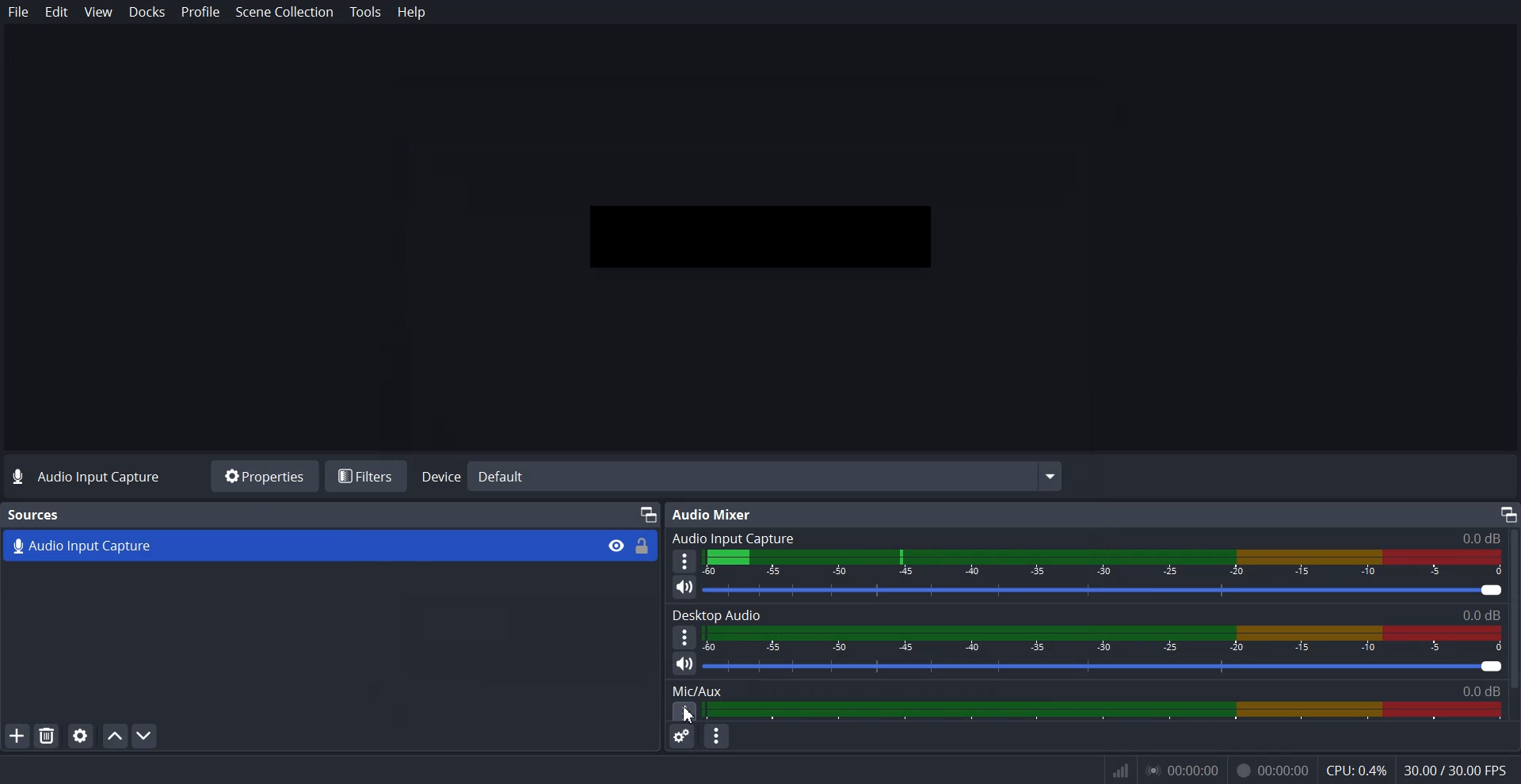  Describe the element at coordinates (1487, 691) in the screenshot. I see `0.00db` at that location.